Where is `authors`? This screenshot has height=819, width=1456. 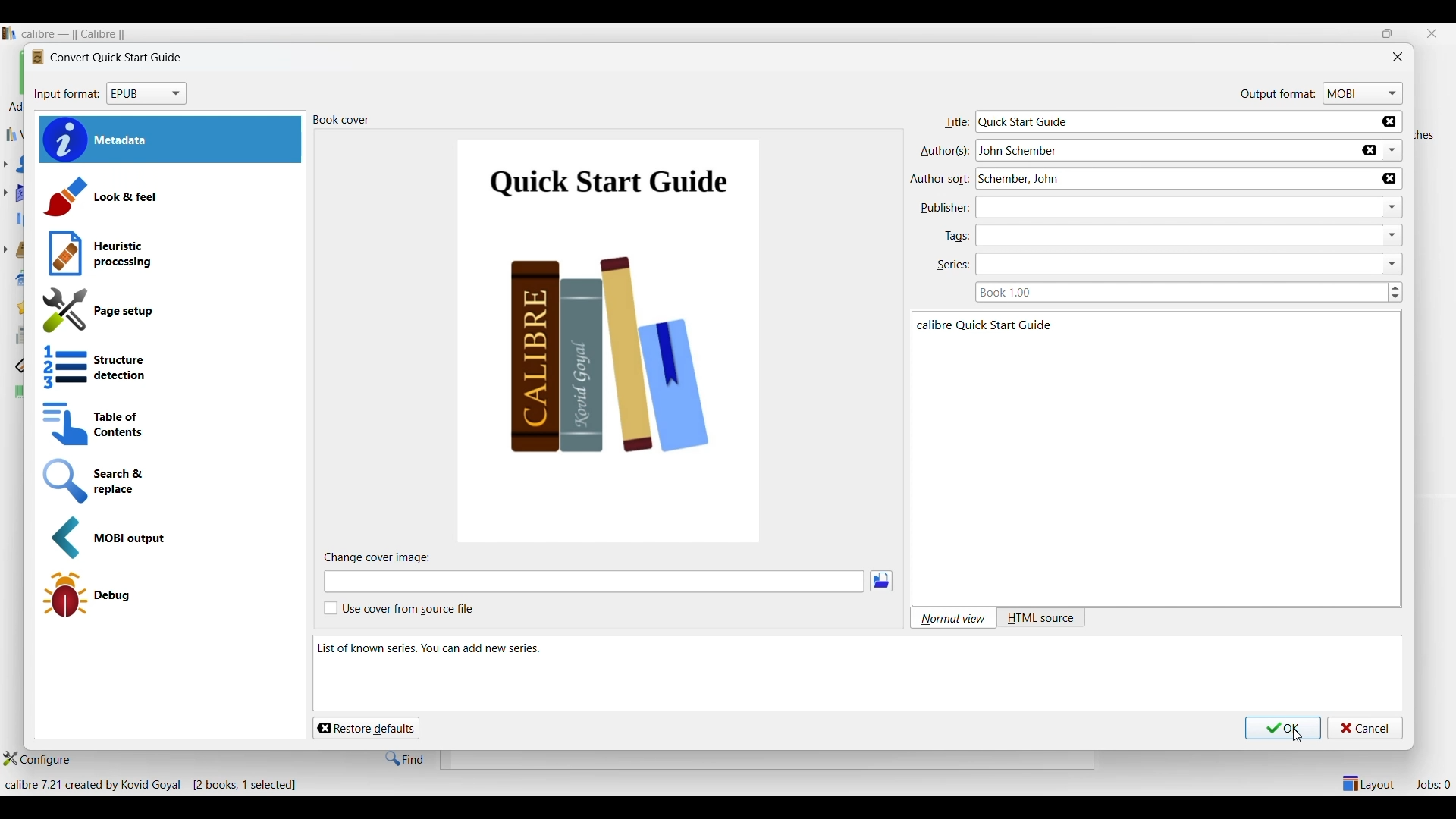
authors is located at coordinates (943, 152).